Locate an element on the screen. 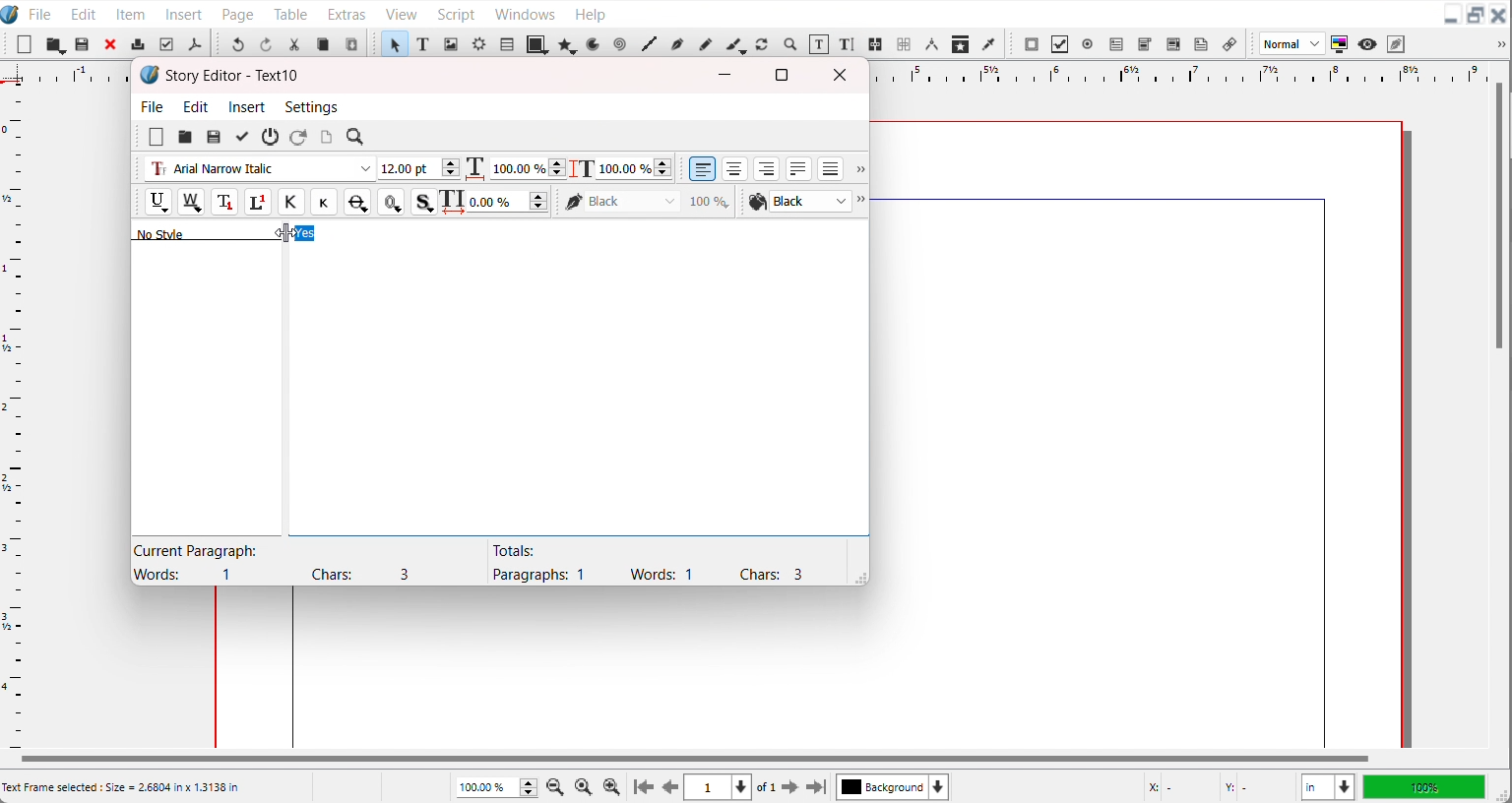 This screenshot has width=1512, height=803. Minimize is located at coordinates (725, 75).